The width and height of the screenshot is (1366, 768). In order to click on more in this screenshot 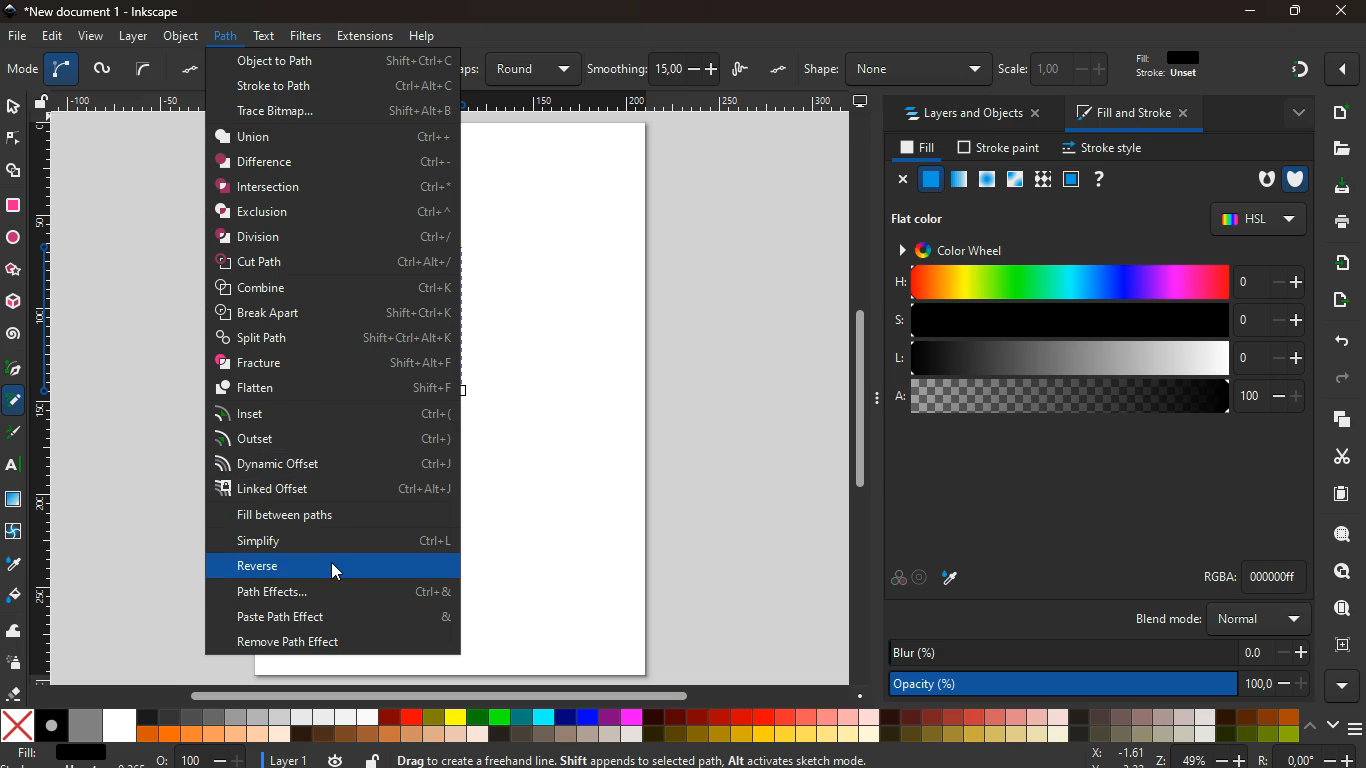, I will do `click(1343, 686)`.